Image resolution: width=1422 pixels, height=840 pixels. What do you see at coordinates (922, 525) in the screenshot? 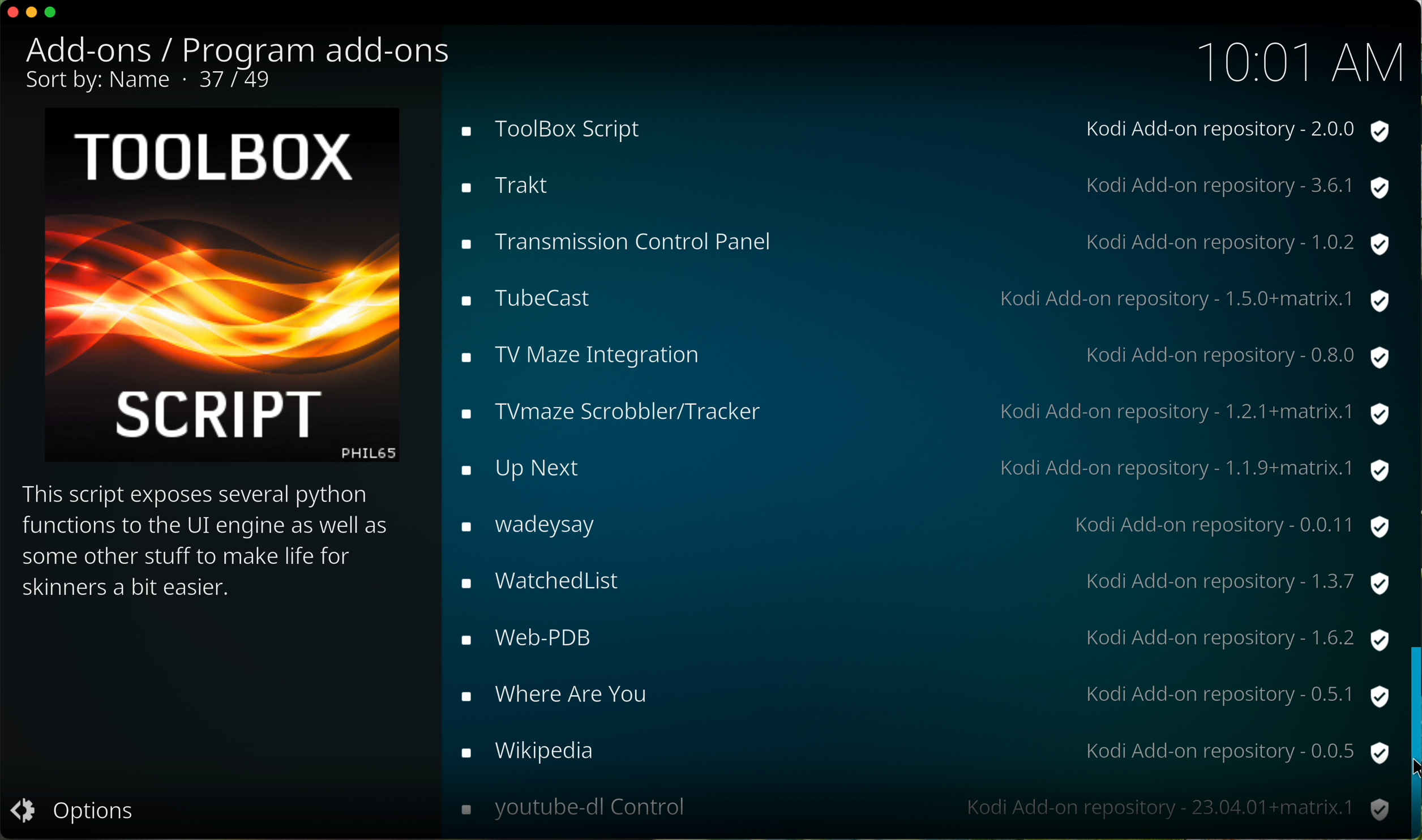
I see `wadeysay` at bounding box center [922, 525].